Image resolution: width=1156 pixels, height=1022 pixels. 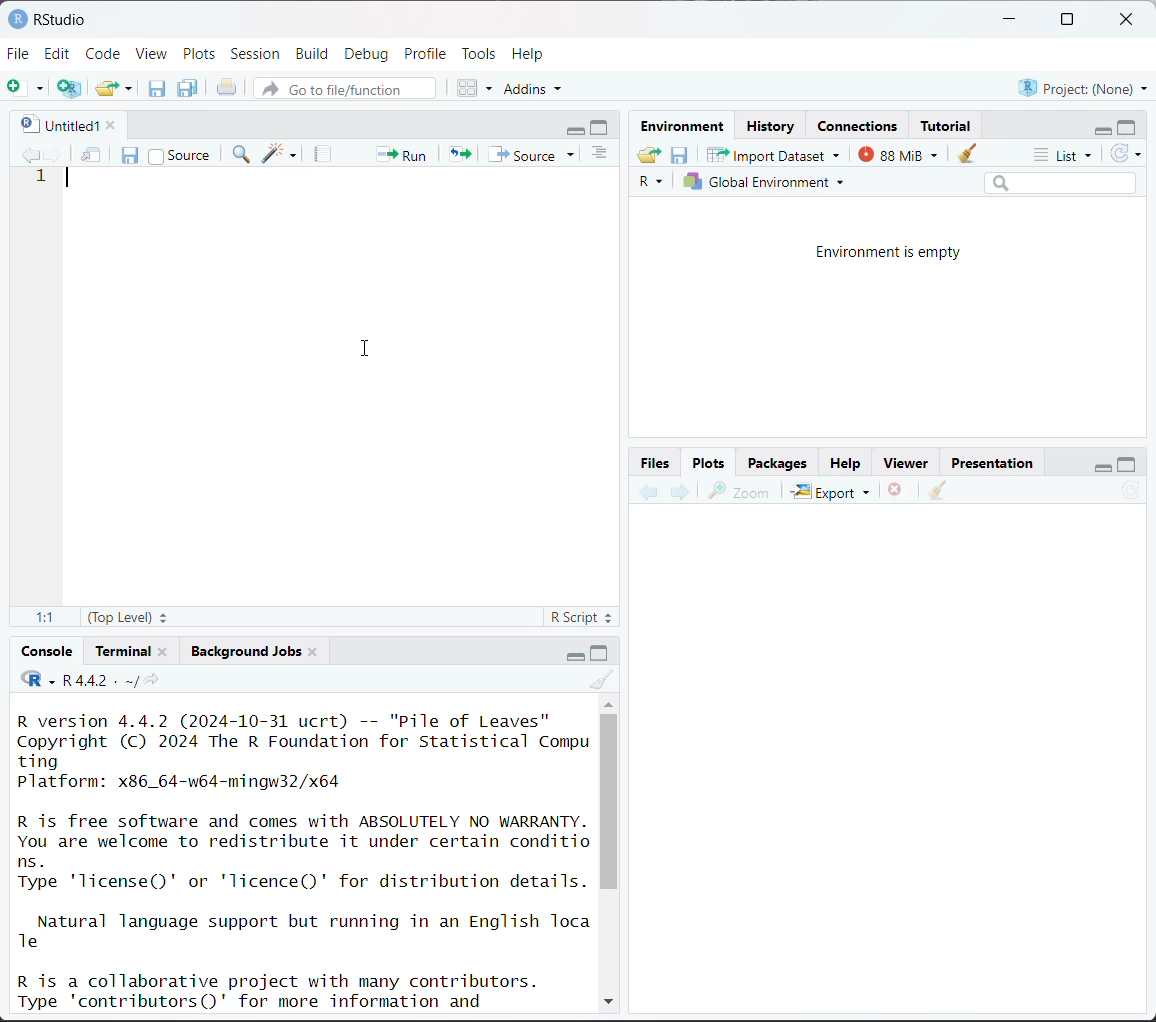 What do you see at coordinates (130, 617) in the screenshot?
I see `(top level)` at bounding box center [130, 617].